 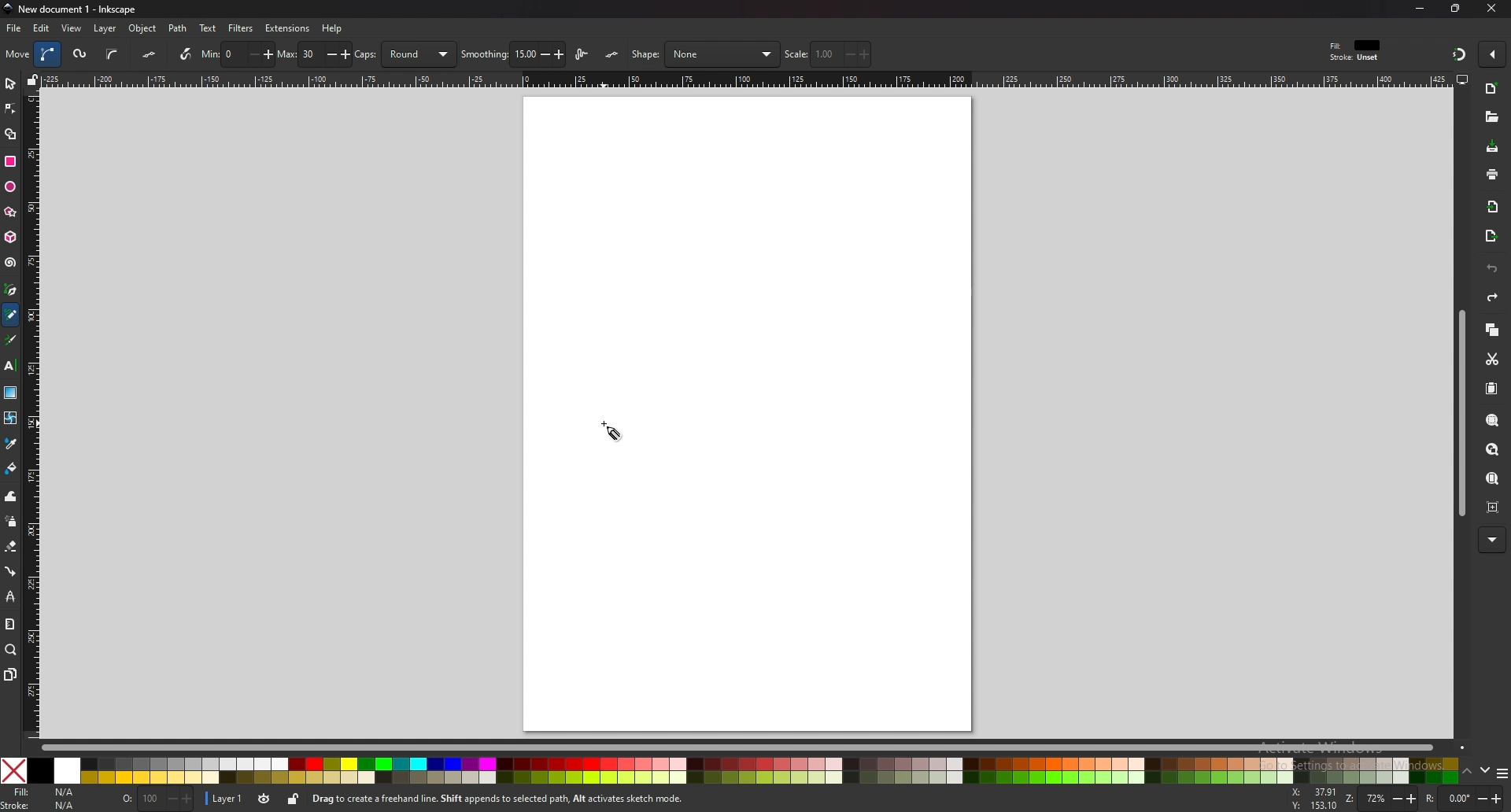 What do you see at coordinates (79, 54) in the screenshot?
I see `spiro path` at bounding box center [79, 54].